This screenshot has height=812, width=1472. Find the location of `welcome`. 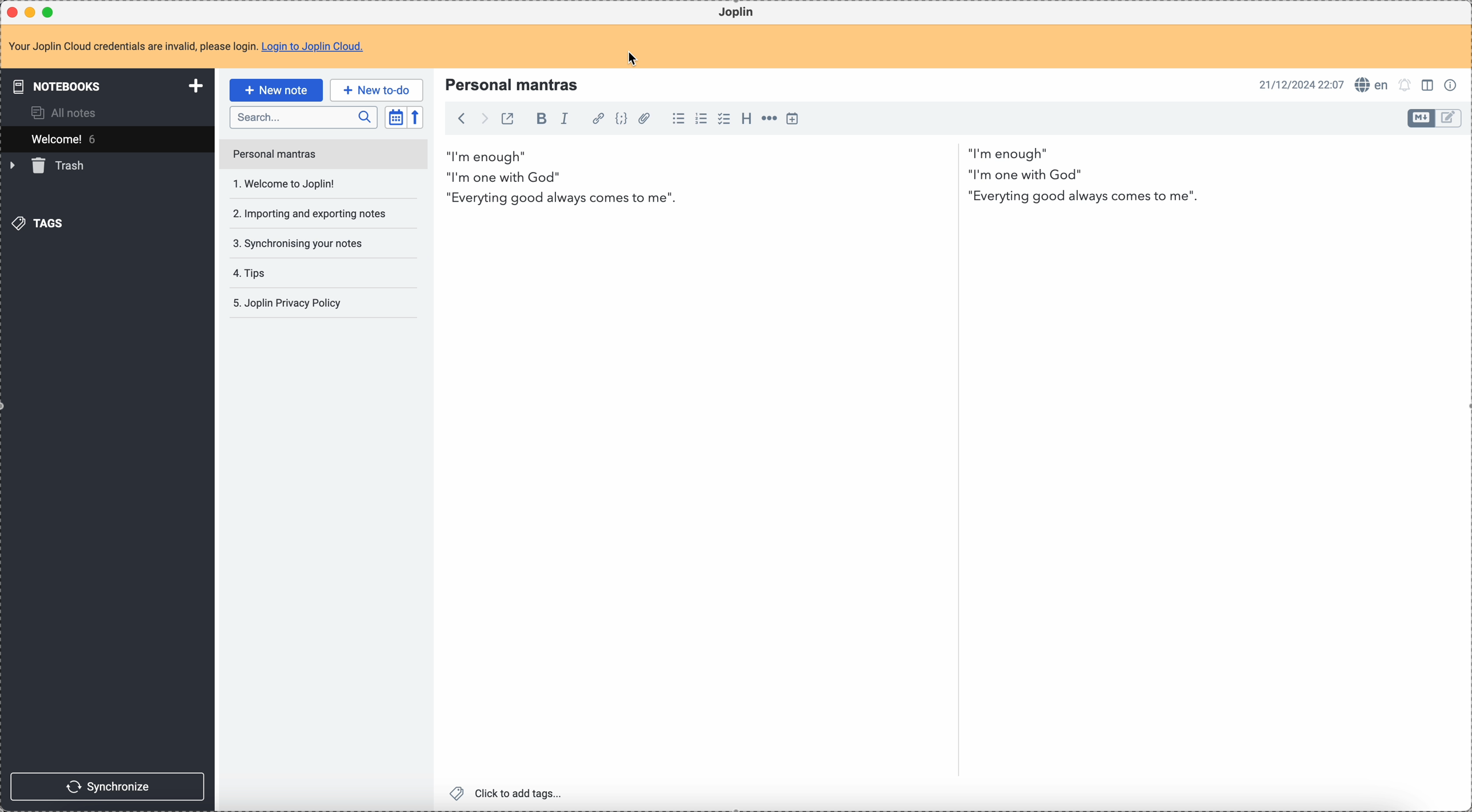

welcome is located at coordinates (107, 139).